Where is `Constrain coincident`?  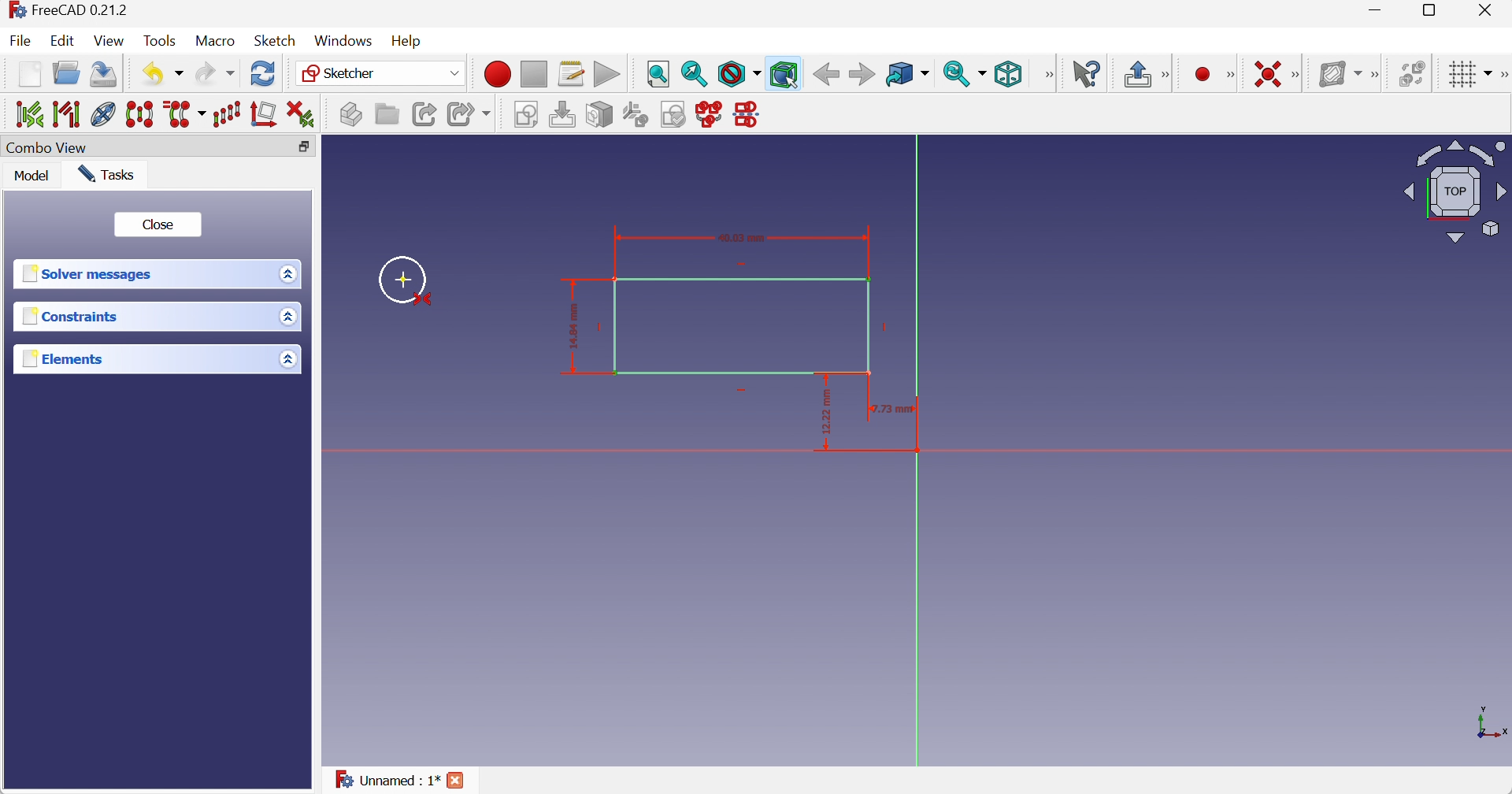
Constrain coincident is located at coordinates (1266, 72).